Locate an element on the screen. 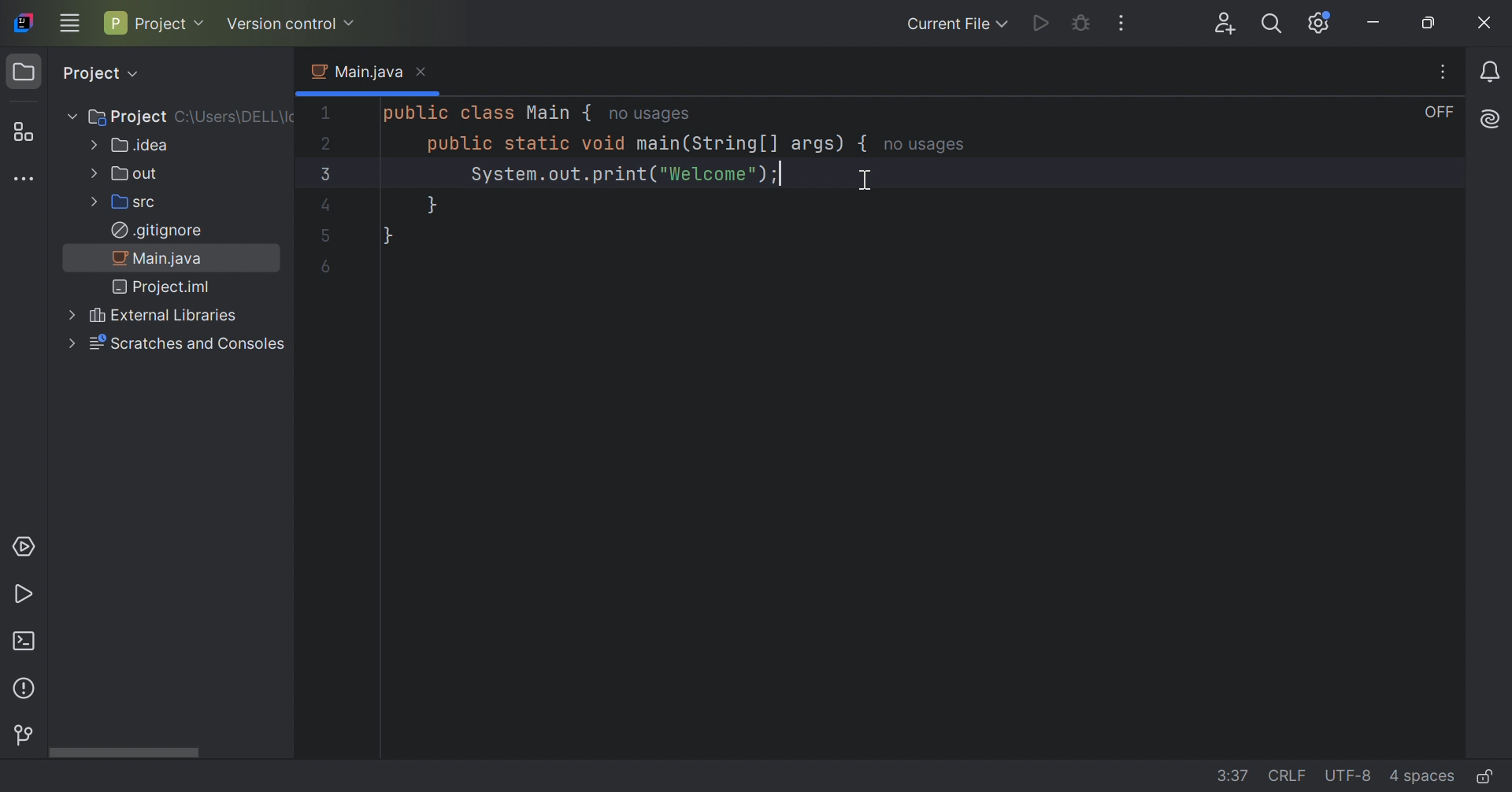  6 is located at coordinates (325, 267).